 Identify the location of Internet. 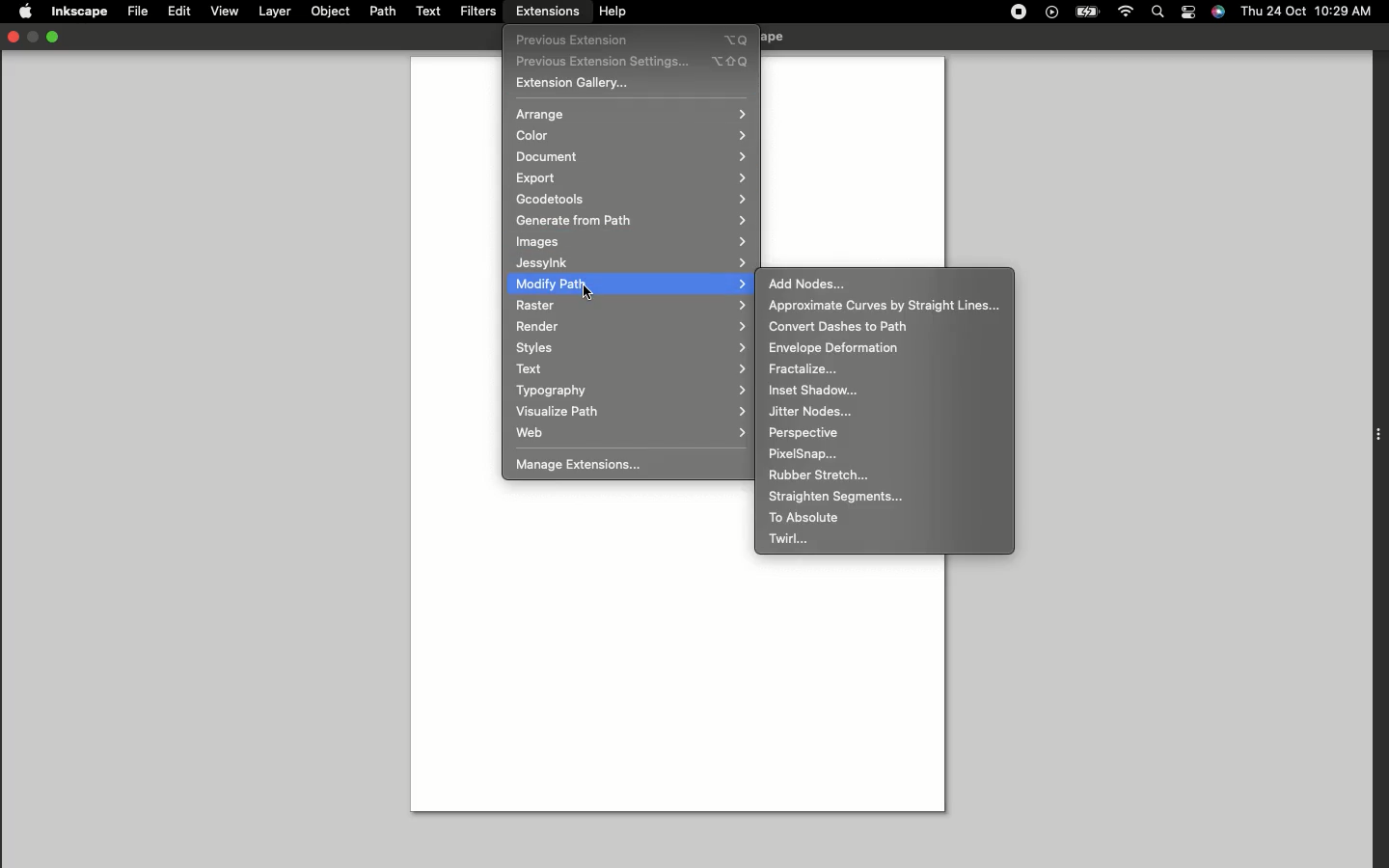
(1123, 12).